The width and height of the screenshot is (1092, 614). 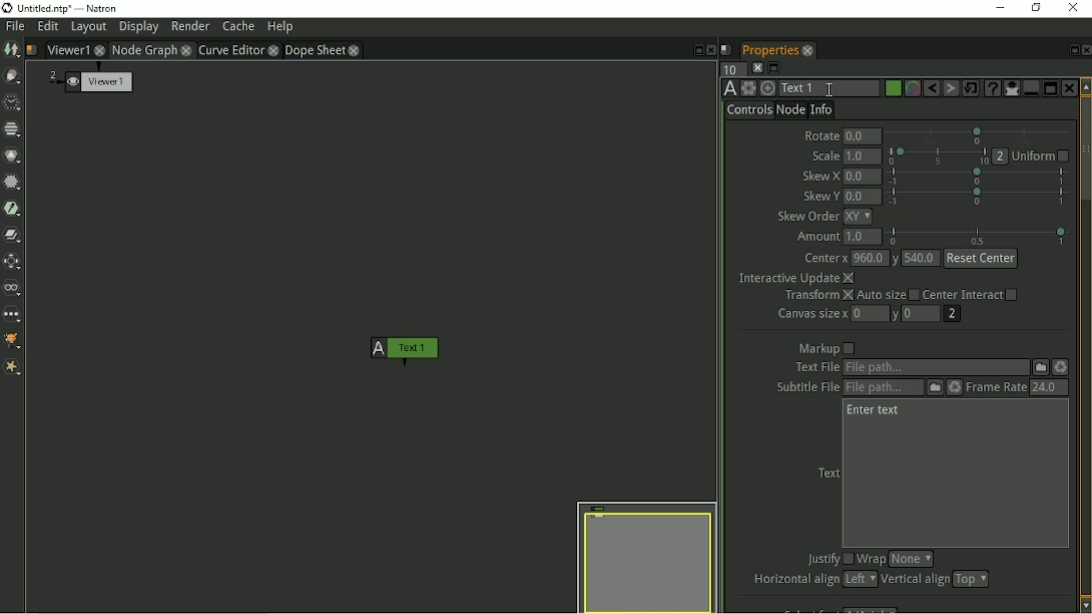 What do you see at coordinates (981, 257) in the screenshot?
I see `reset center` at bounding box center [981, 257].